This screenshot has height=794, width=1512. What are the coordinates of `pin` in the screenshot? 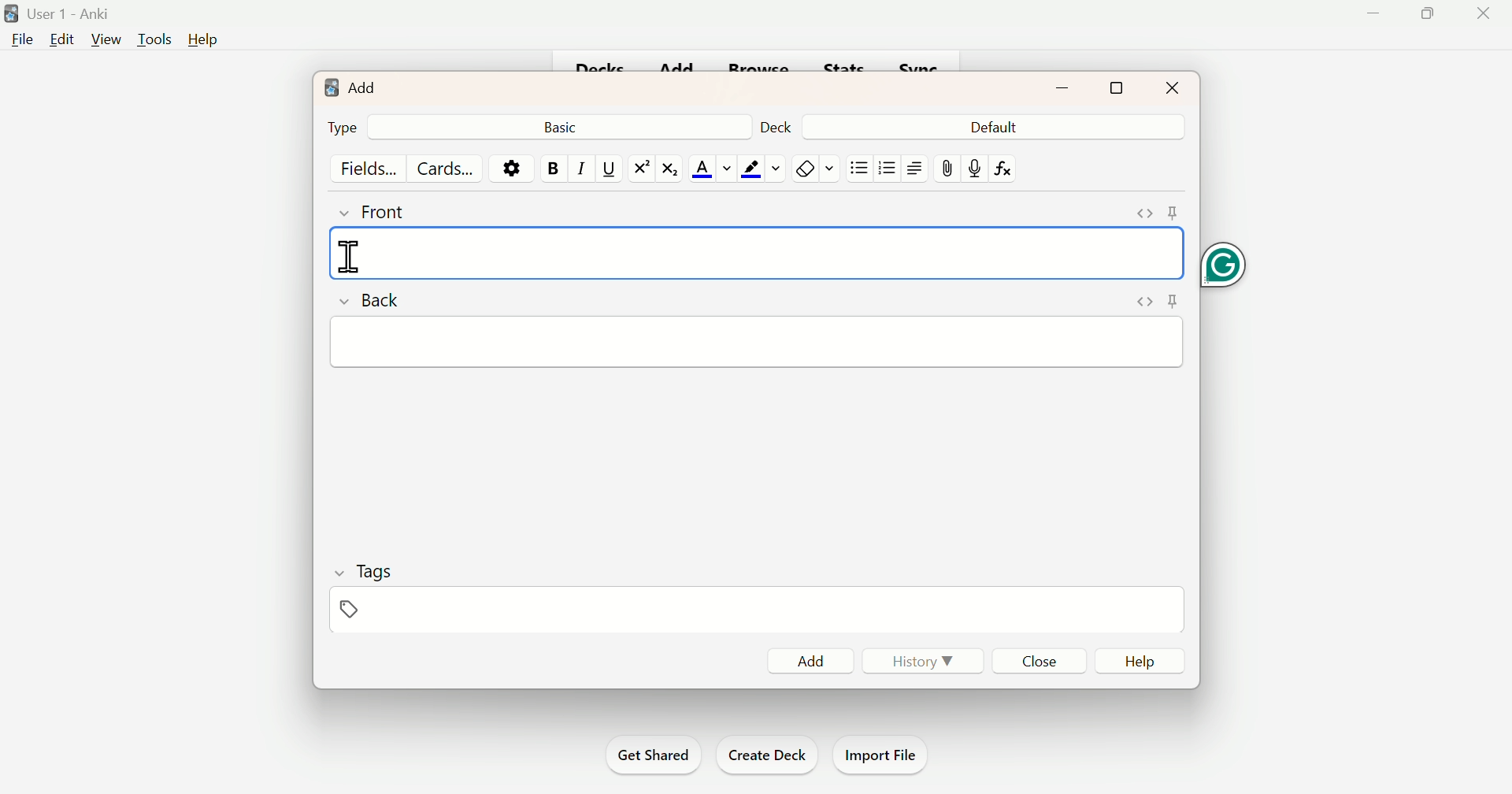 It's located at (944, 167).